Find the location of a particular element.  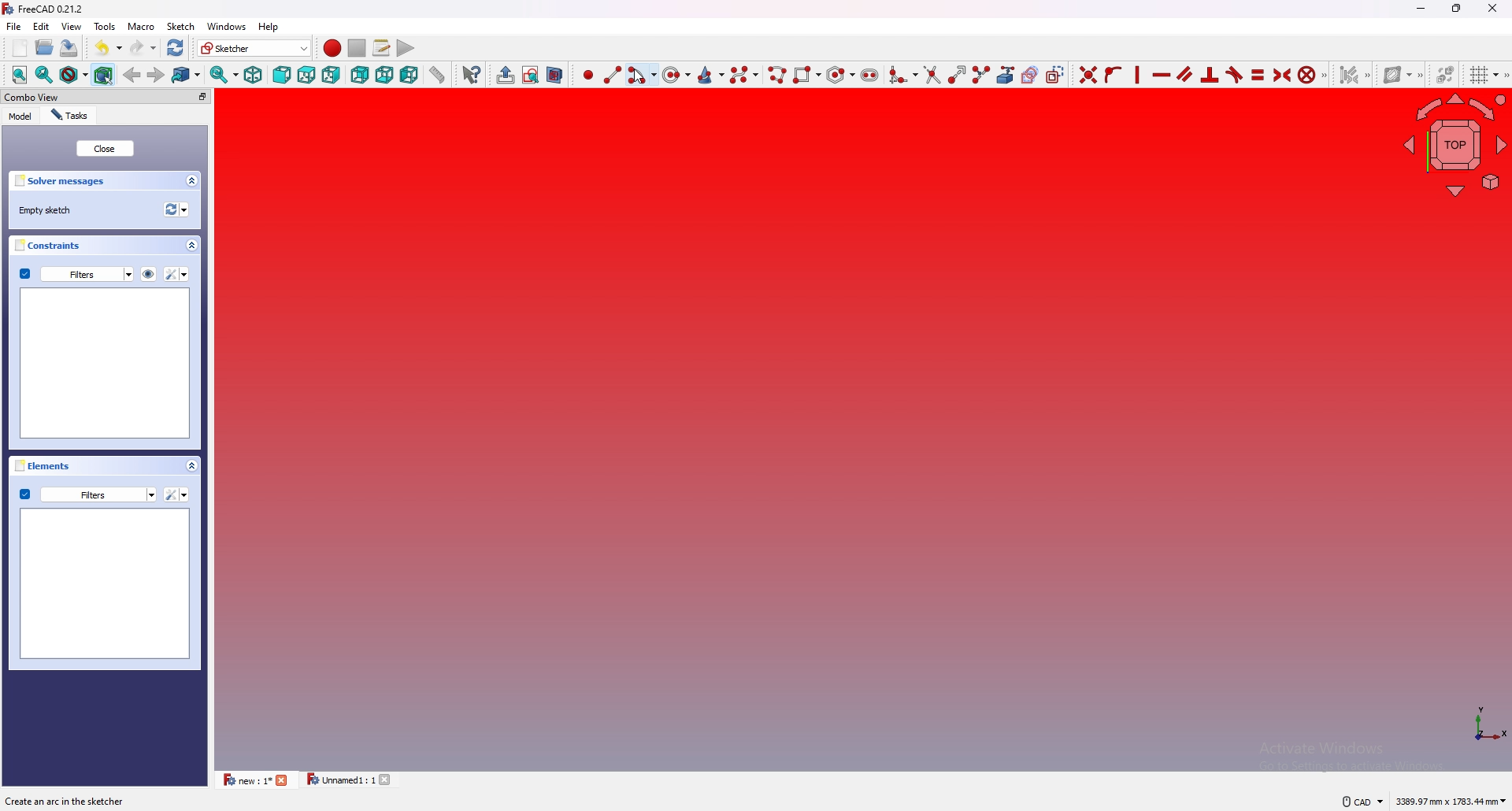

new is located at coordinates (18, 48).